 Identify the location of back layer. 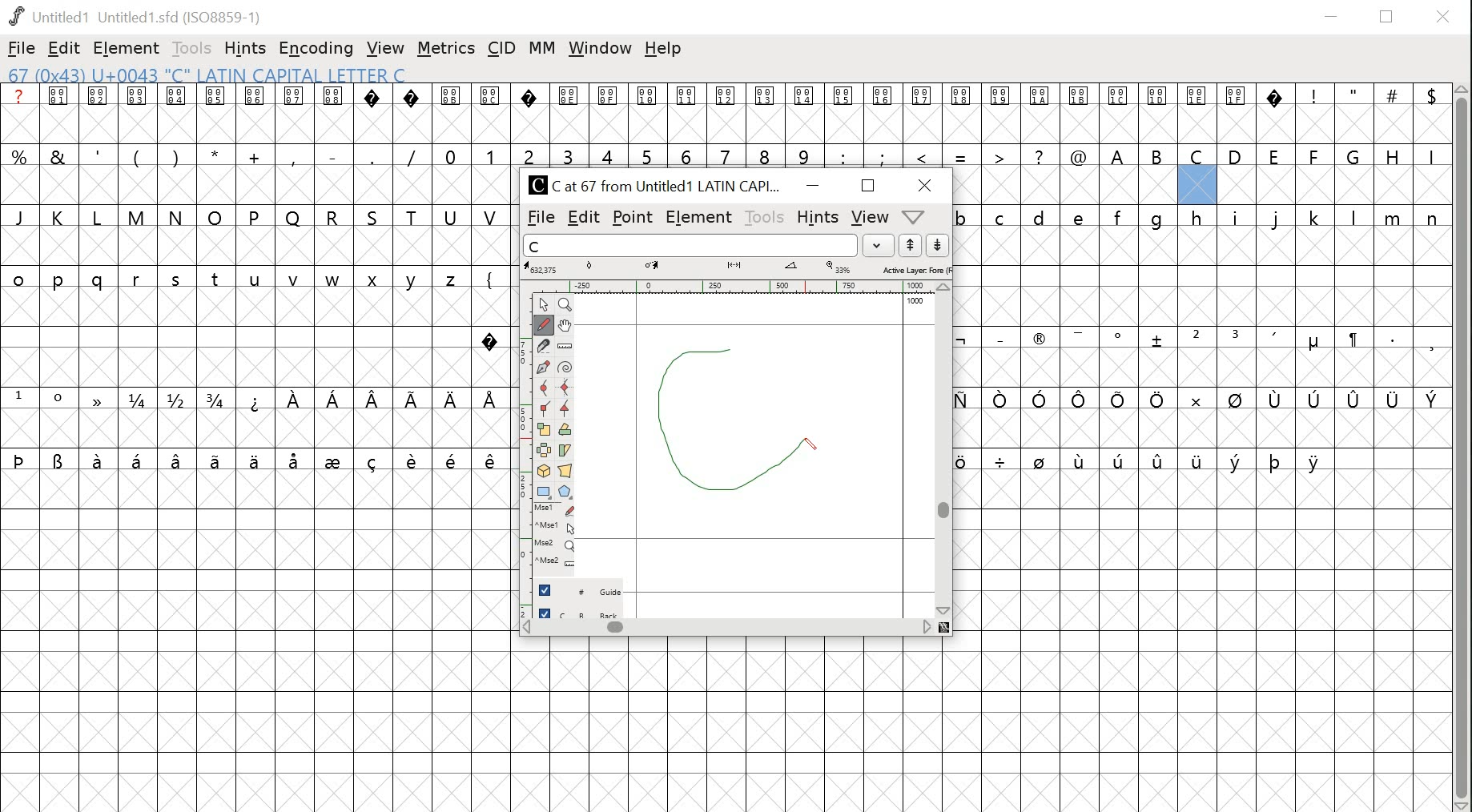
(581, 611).